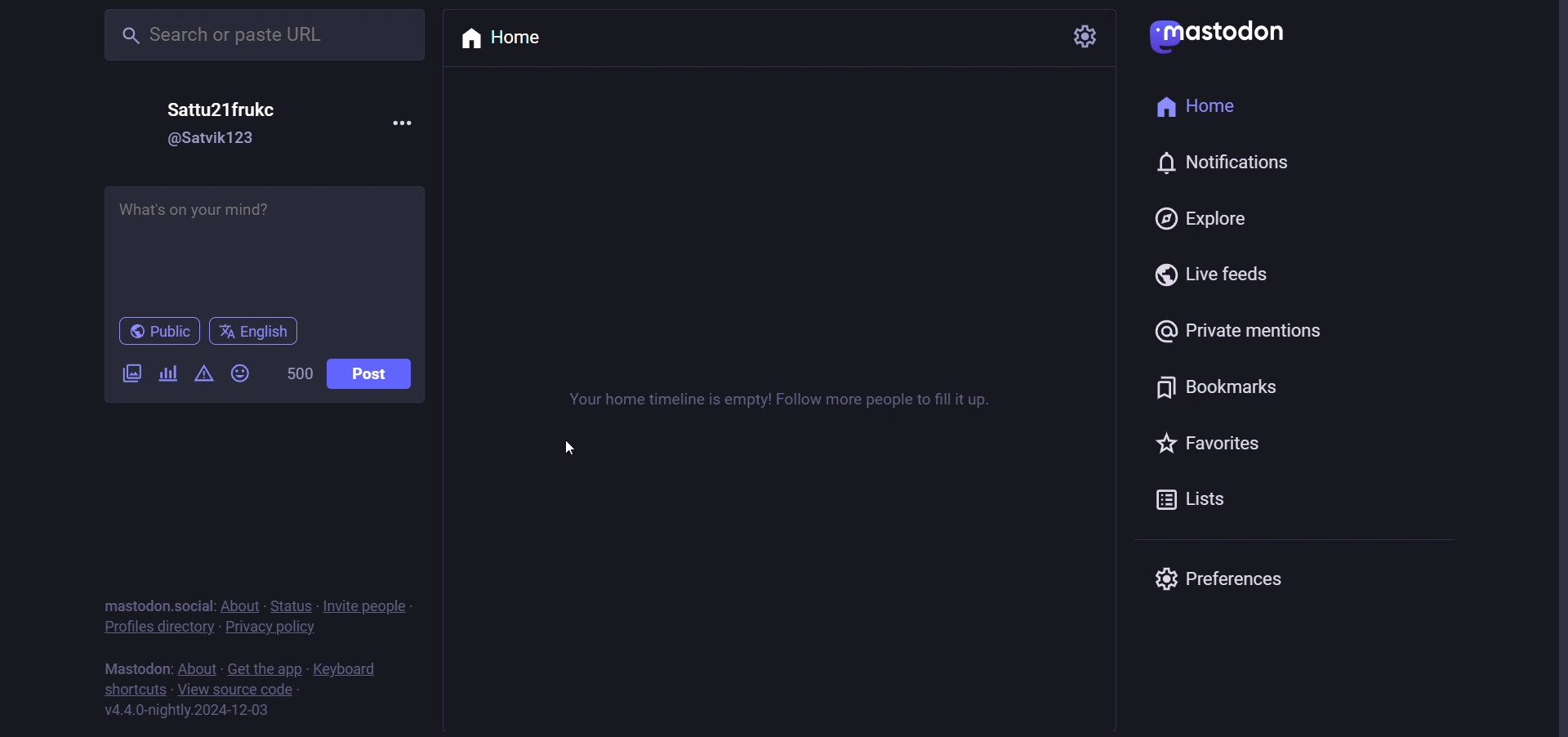 The height and width of the screenshot is (737, 1568). I want to click on about, so click(196, 670).